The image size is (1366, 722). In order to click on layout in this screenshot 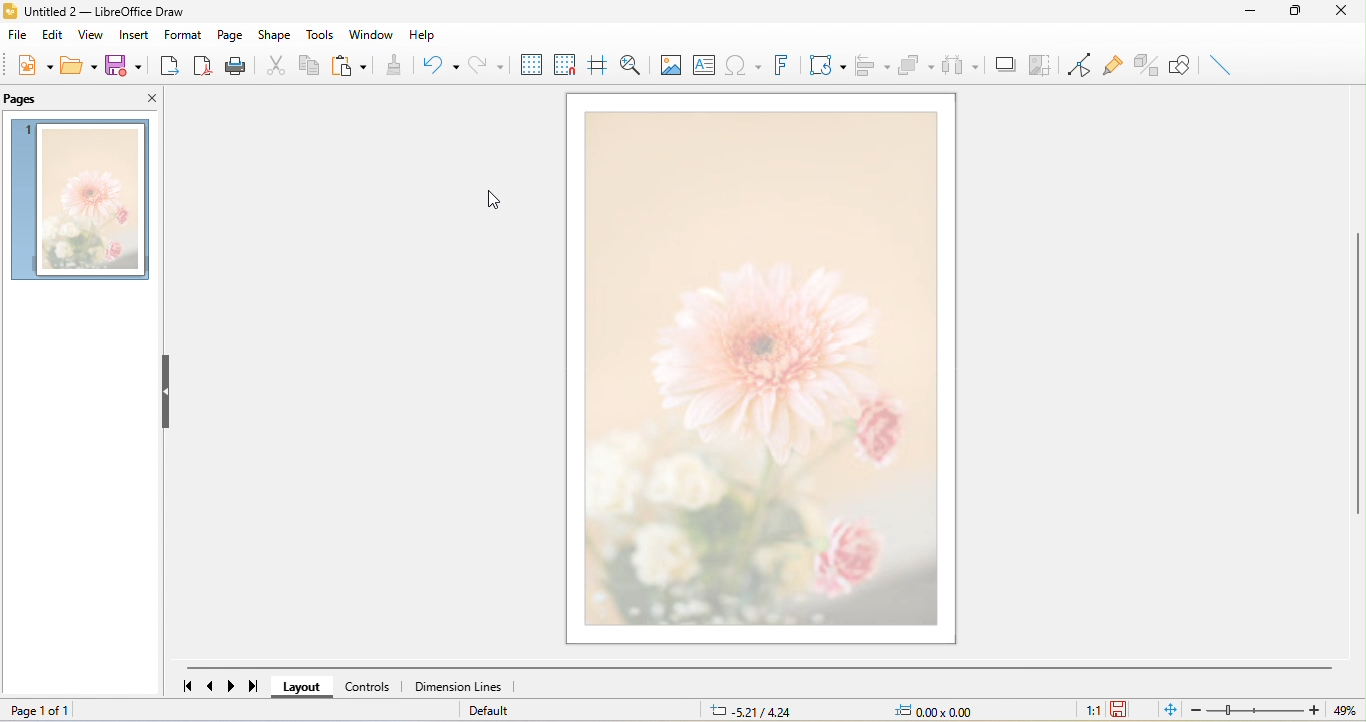, I will do `click(307, 687)`.